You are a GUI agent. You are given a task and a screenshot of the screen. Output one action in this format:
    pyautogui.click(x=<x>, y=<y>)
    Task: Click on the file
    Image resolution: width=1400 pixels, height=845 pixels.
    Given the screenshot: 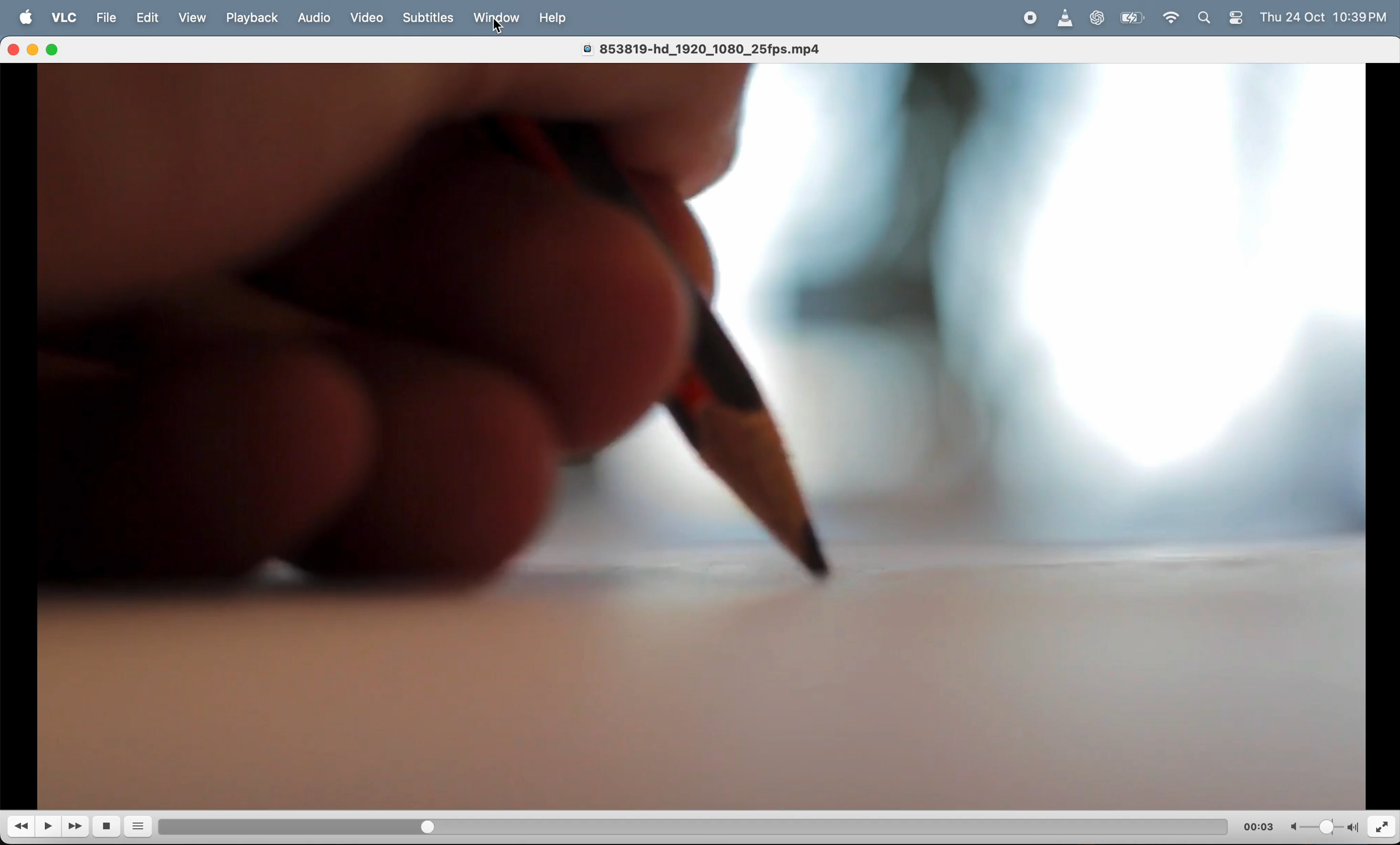 What is the action you would take?
    pyautogui.click(x=106, y=18)
    